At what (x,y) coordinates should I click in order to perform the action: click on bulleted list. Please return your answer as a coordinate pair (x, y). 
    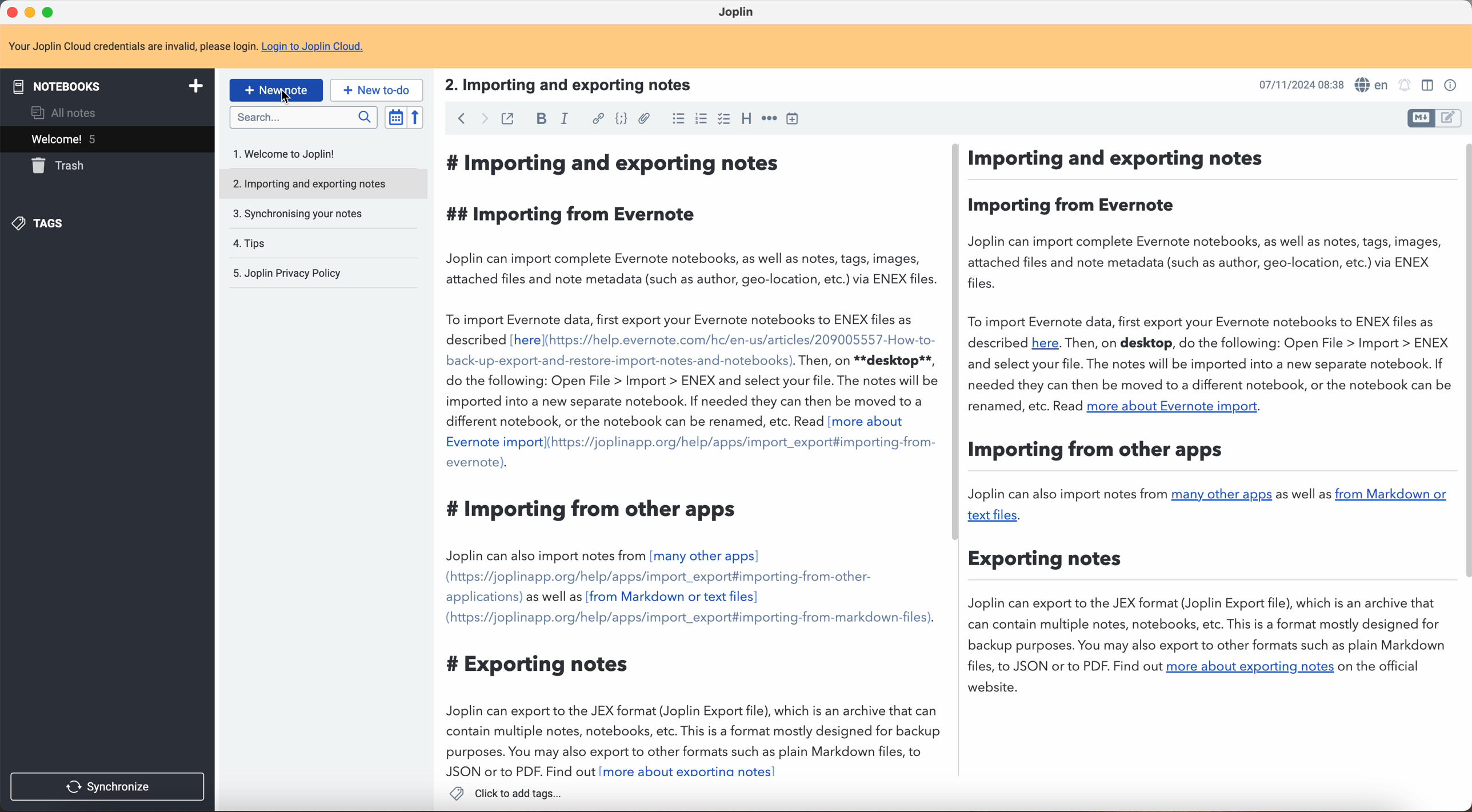
    Looking at the image, I should click on (678, 119).